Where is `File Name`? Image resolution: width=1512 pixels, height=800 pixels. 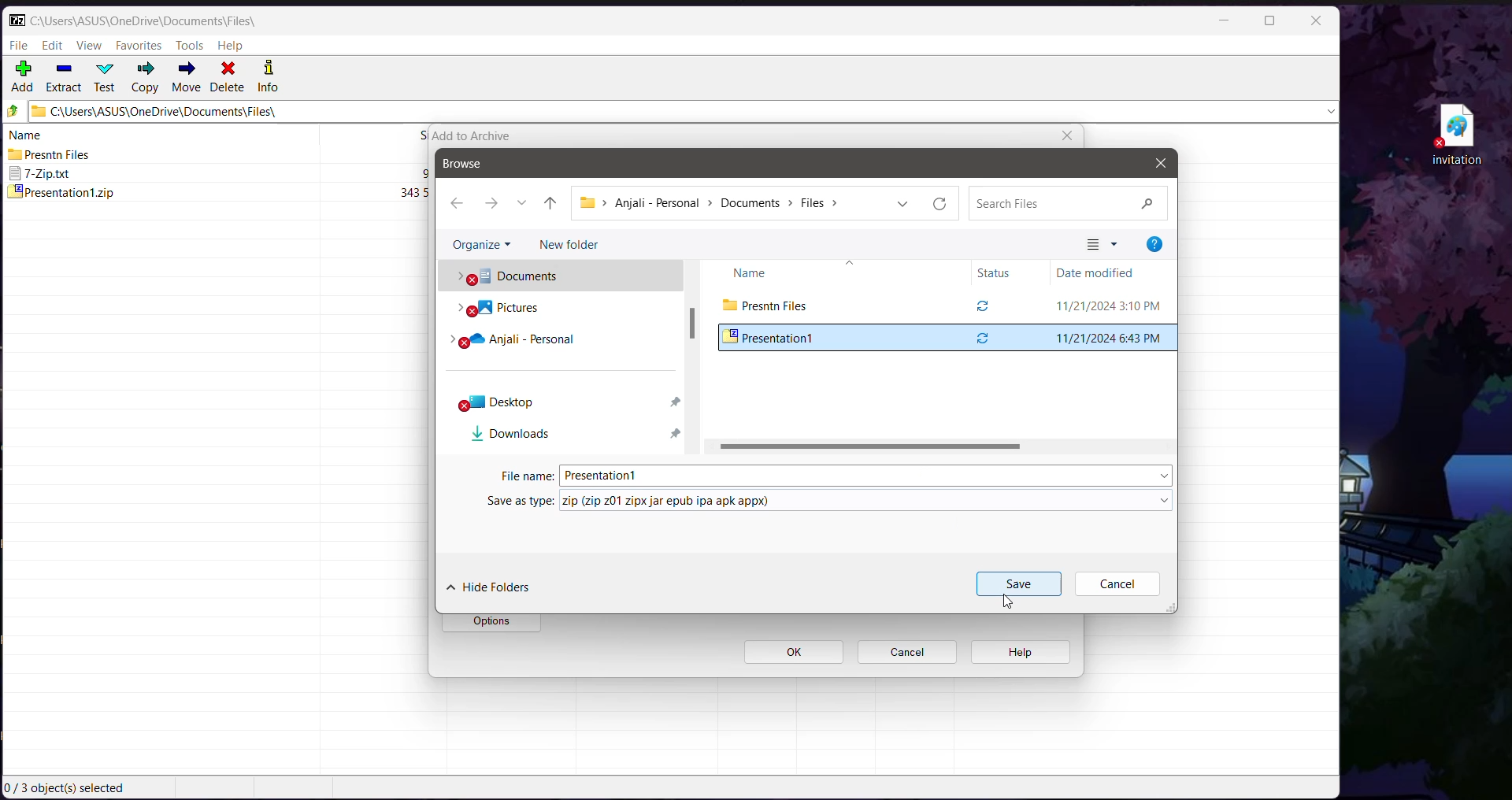 File Name is located at coordinates (525, 476).